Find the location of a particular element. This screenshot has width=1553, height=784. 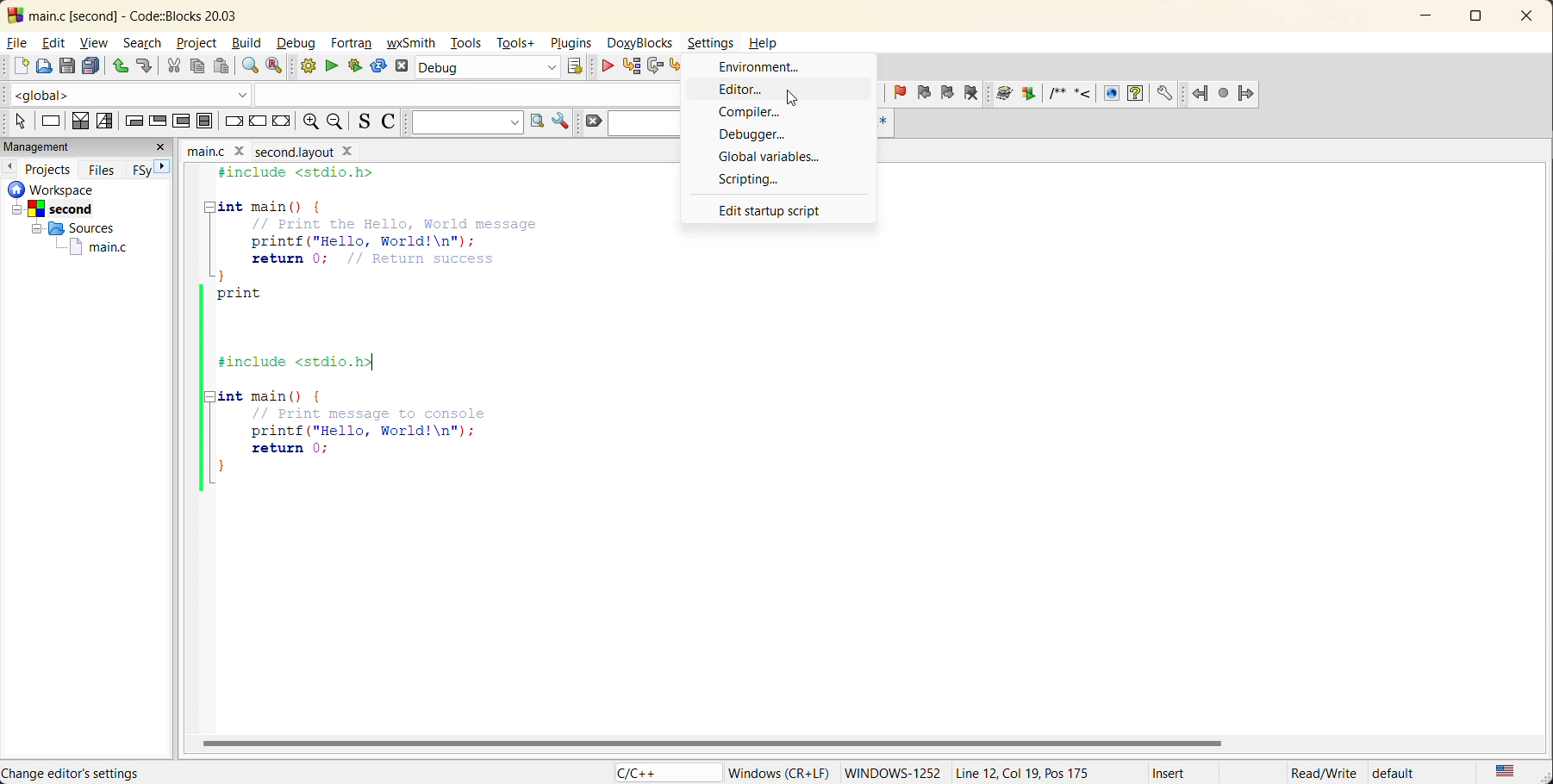

build is located at coordinates (304, 65).